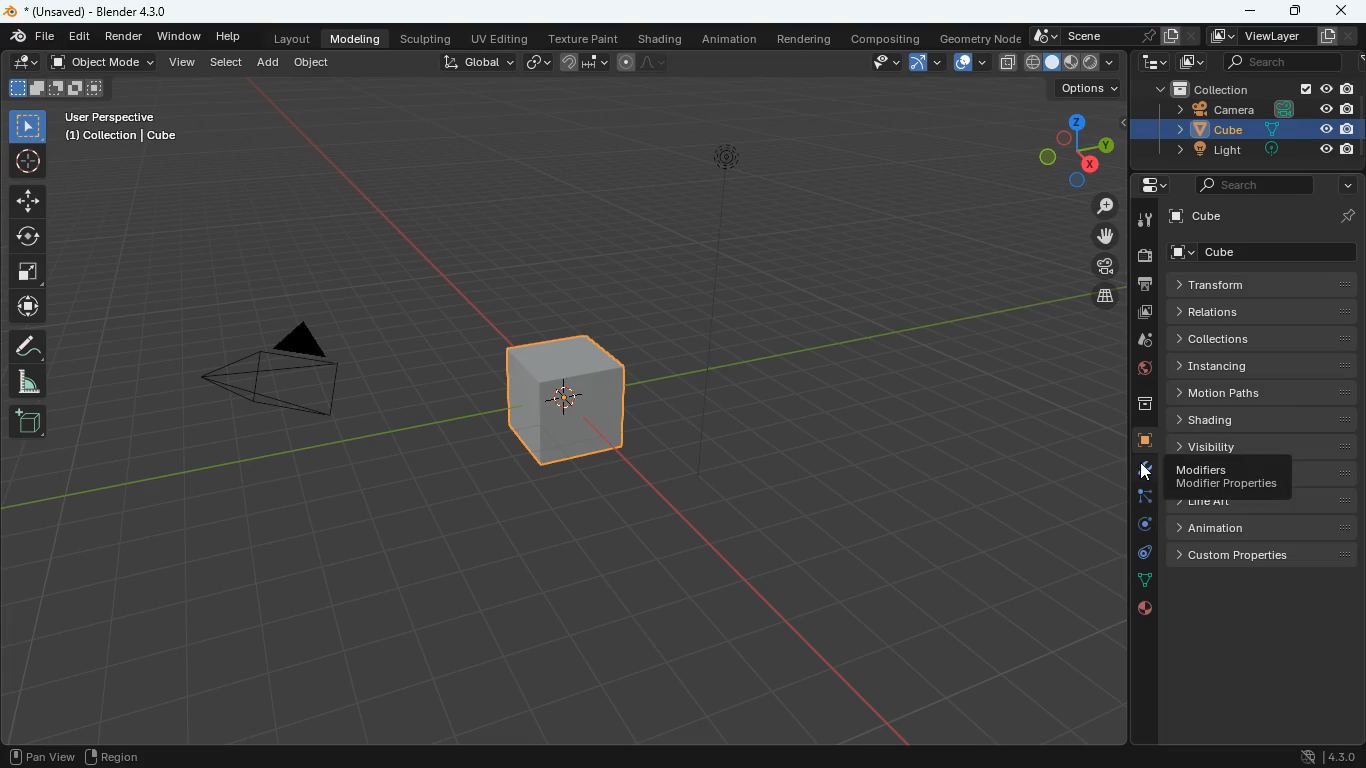  I want to click on , so click(1347, 108).